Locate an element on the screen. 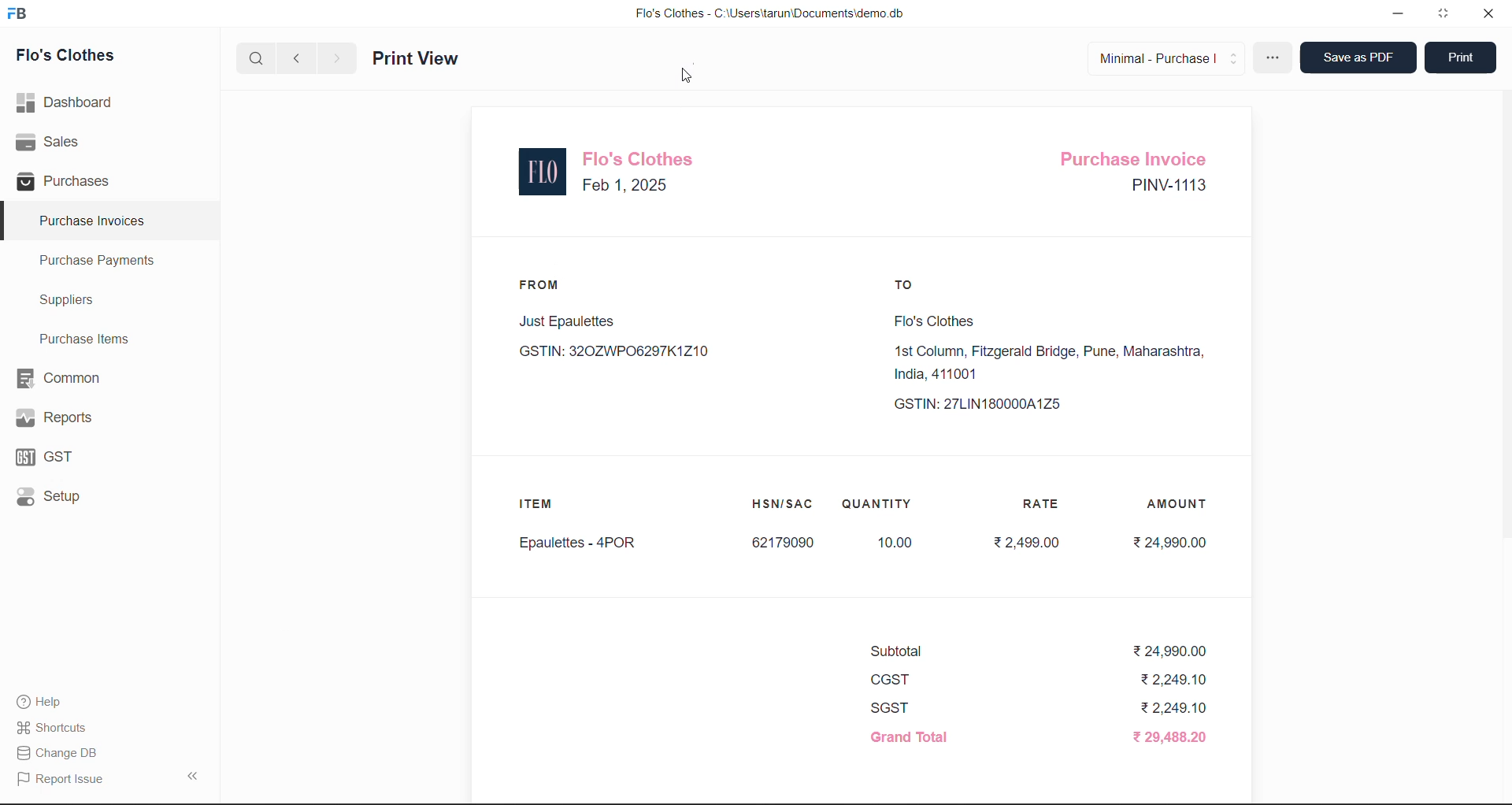  next is located at coordinates (336, 58).